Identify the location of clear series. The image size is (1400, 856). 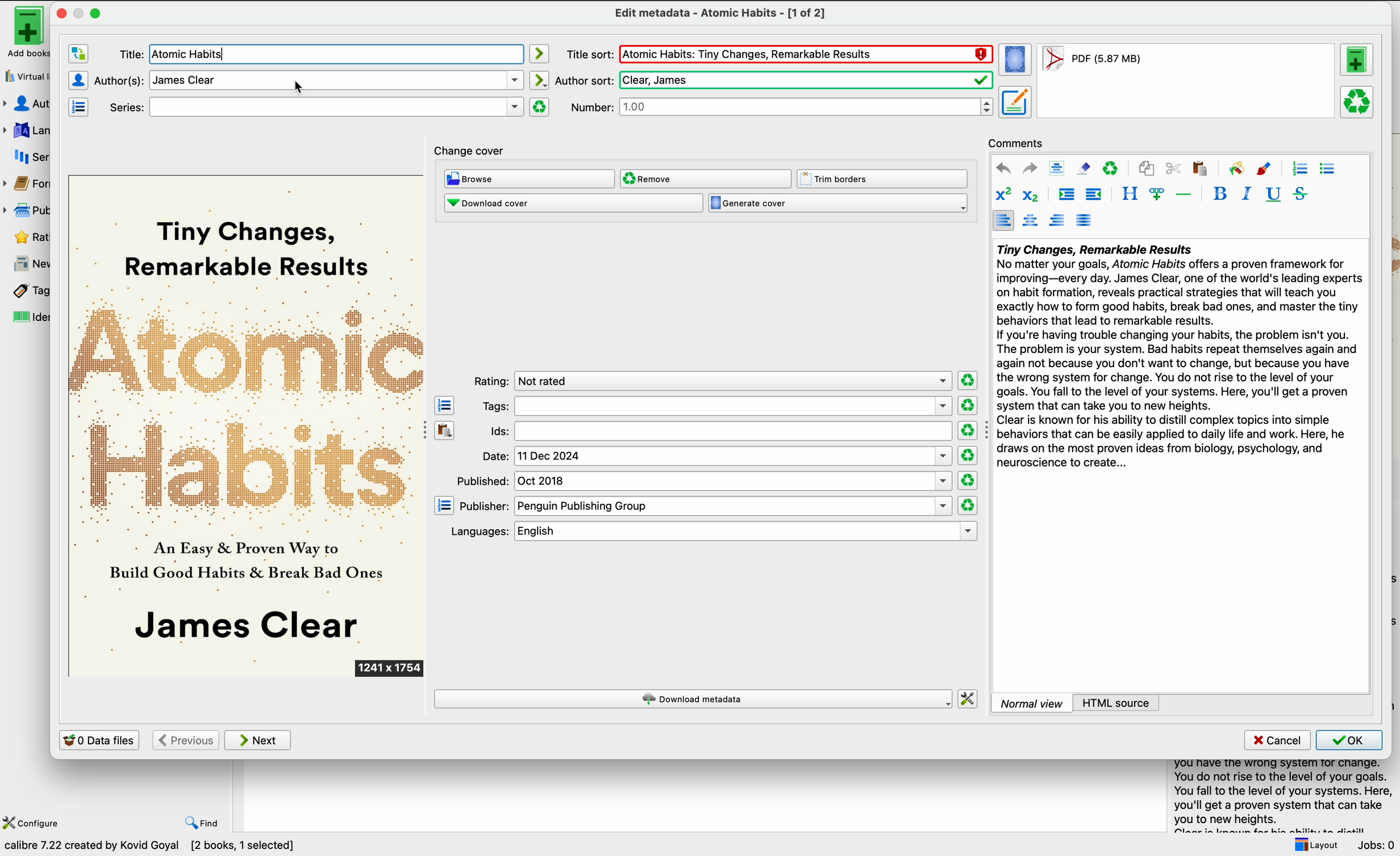
(540, 107).